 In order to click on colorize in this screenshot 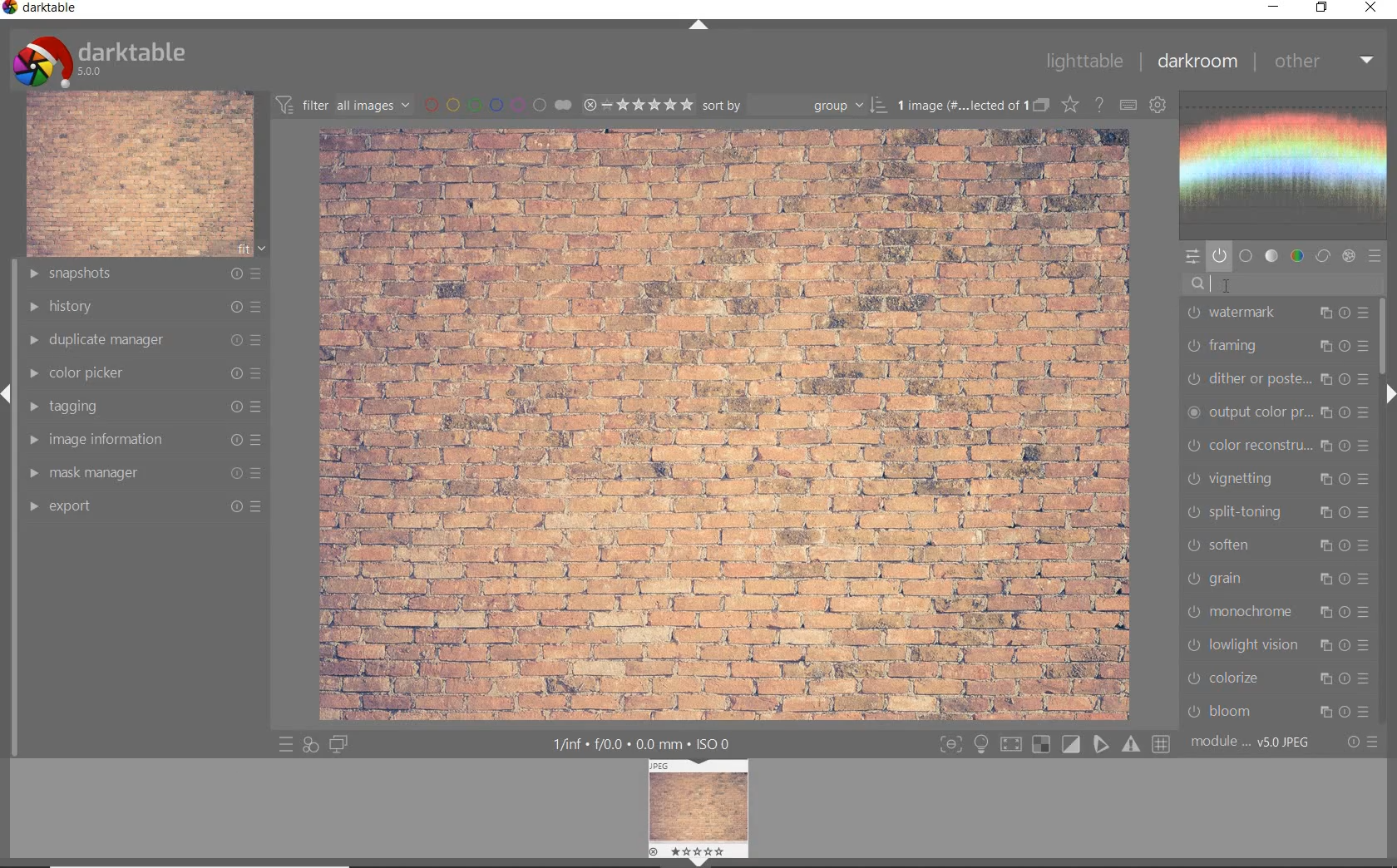, I will do `click(1276, 678)`.